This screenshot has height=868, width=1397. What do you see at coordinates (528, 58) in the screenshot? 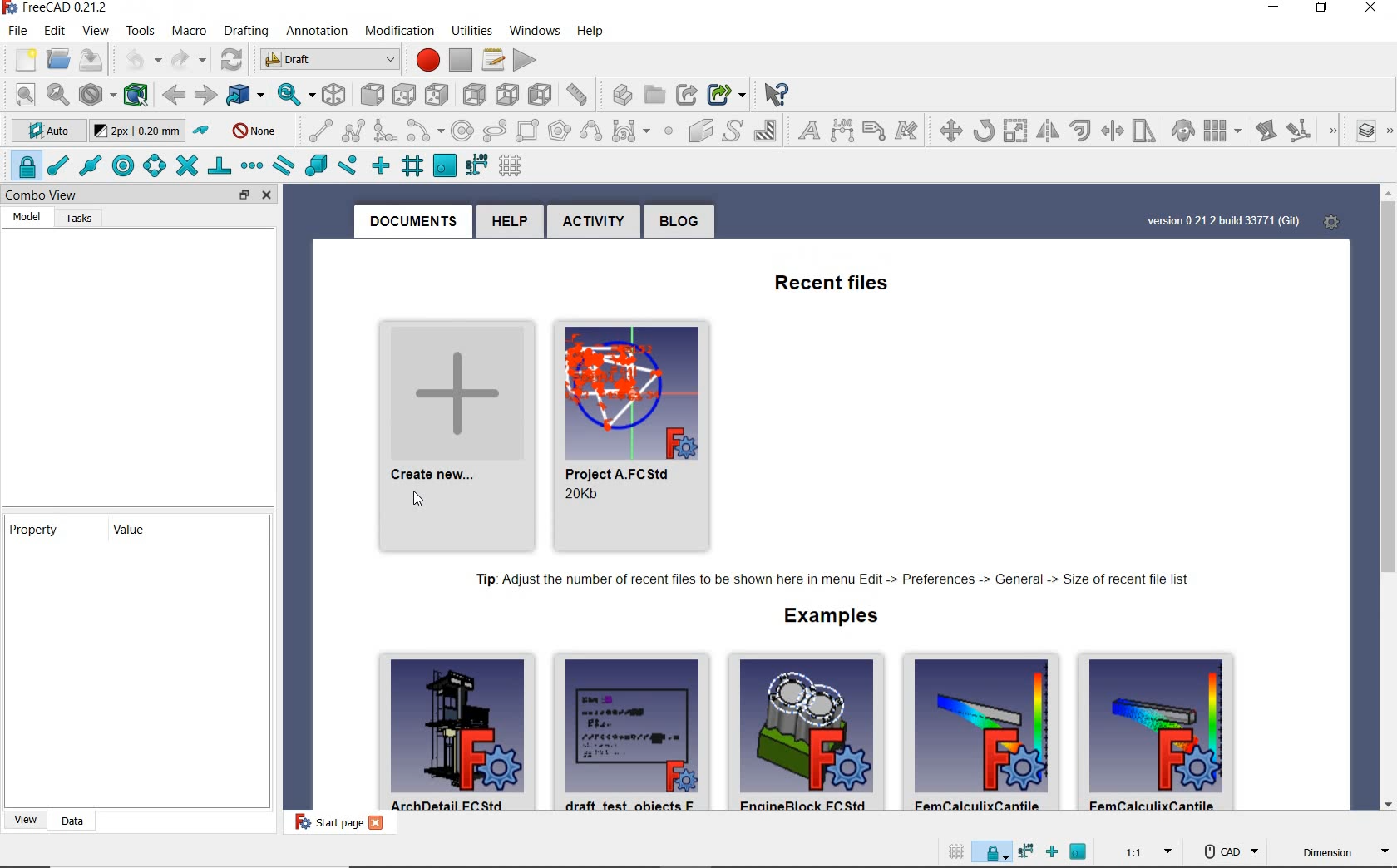
I see `execute macro` at bounding box center [528, 58].